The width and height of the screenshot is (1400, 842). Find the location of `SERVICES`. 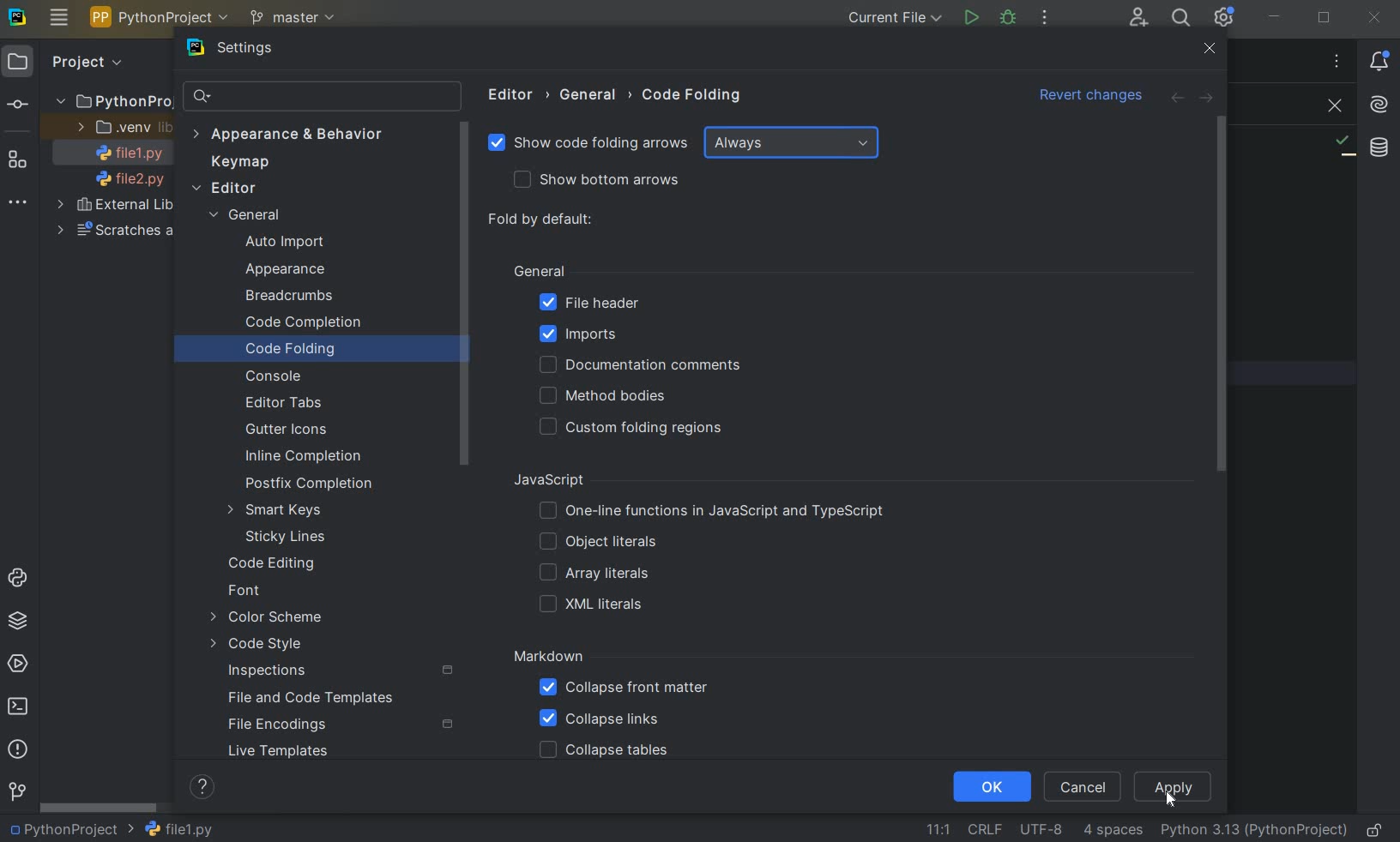

SERVICES is located at coordinates (20, 663).